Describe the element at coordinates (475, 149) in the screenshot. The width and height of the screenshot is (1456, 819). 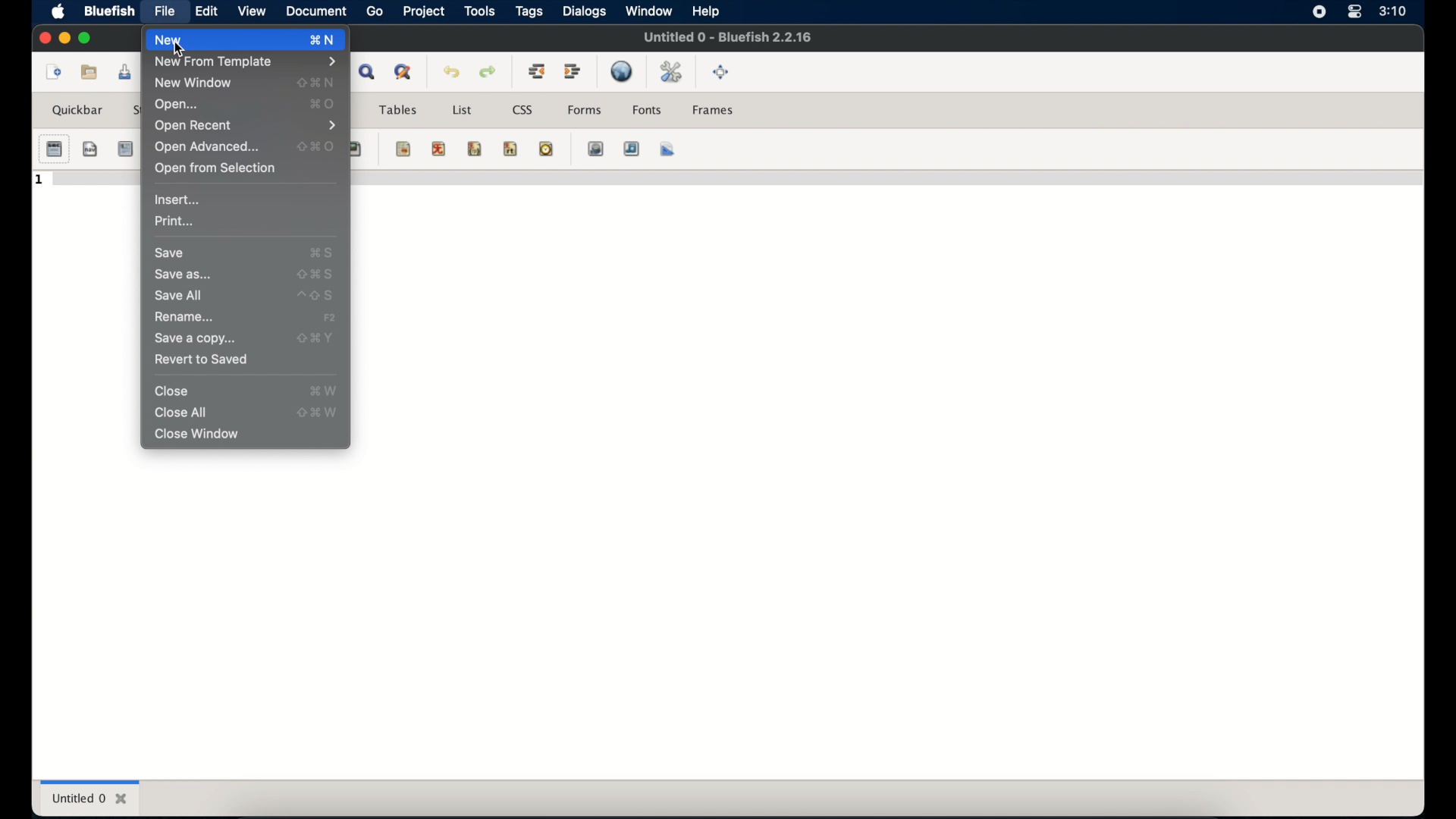
I see `ruby parenthesis` at that location.